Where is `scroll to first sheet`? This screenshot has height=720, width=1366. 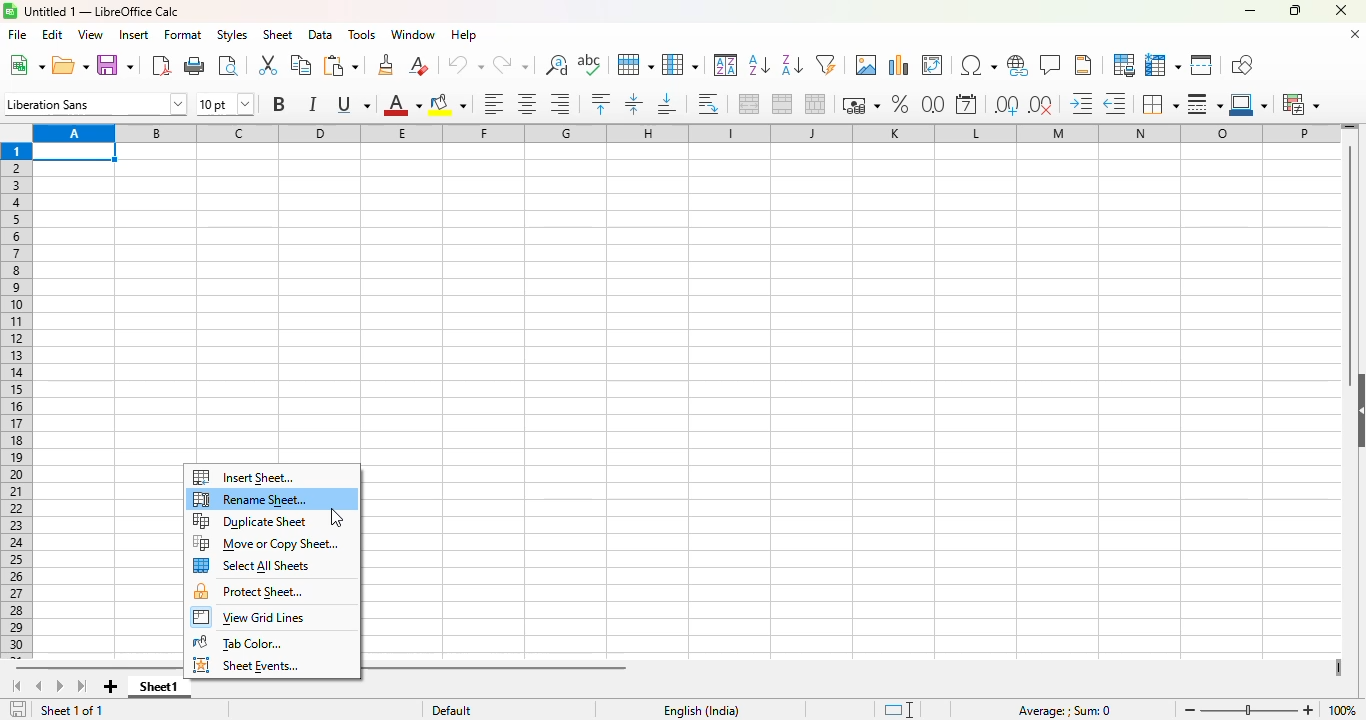 scroll to first sheet is located at coordinates (18, 686).